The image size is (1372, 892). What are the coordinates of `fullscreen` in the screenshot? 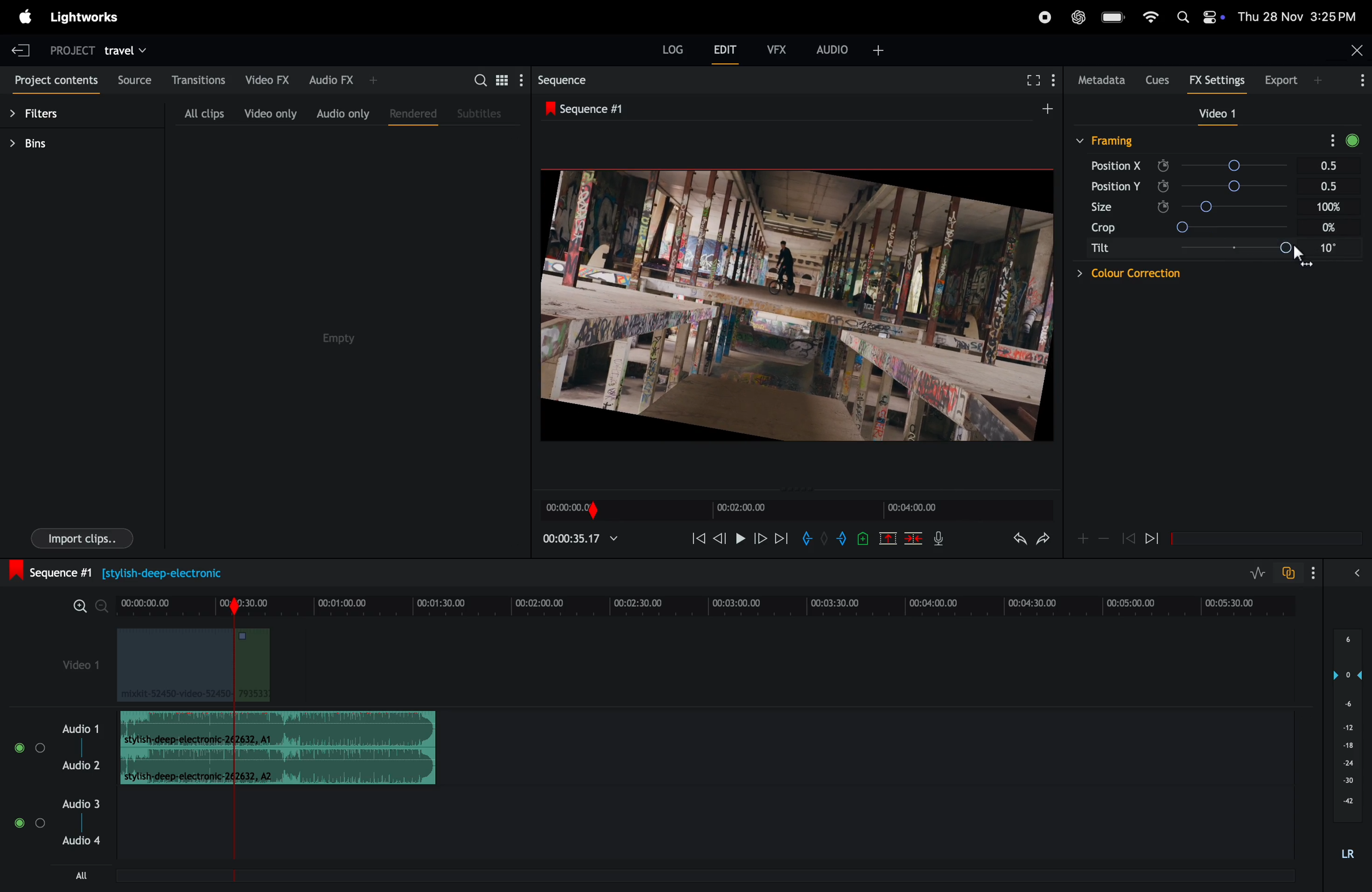 It's located at (1032, 82).